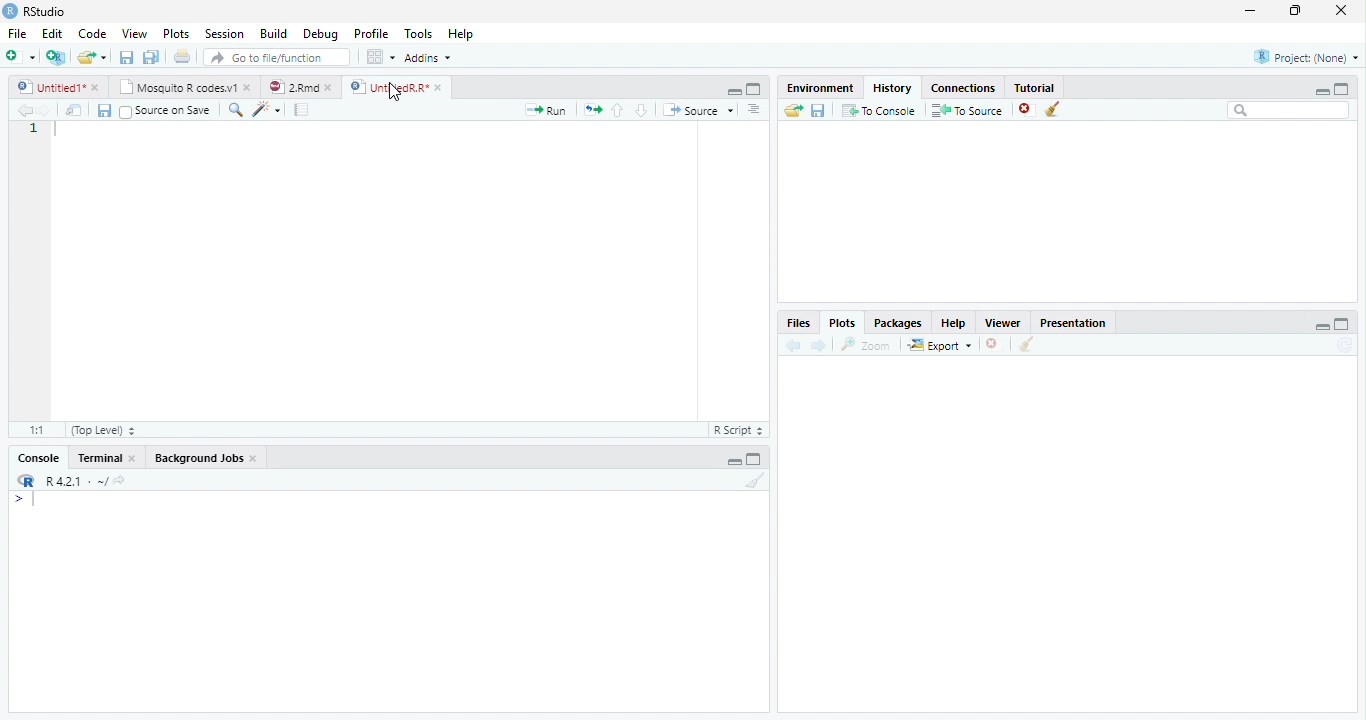 The image size is (1366, 720). Describe the element at coordinates (1347, 345) in the screenshot. I see `Refresh current plot` at that location.